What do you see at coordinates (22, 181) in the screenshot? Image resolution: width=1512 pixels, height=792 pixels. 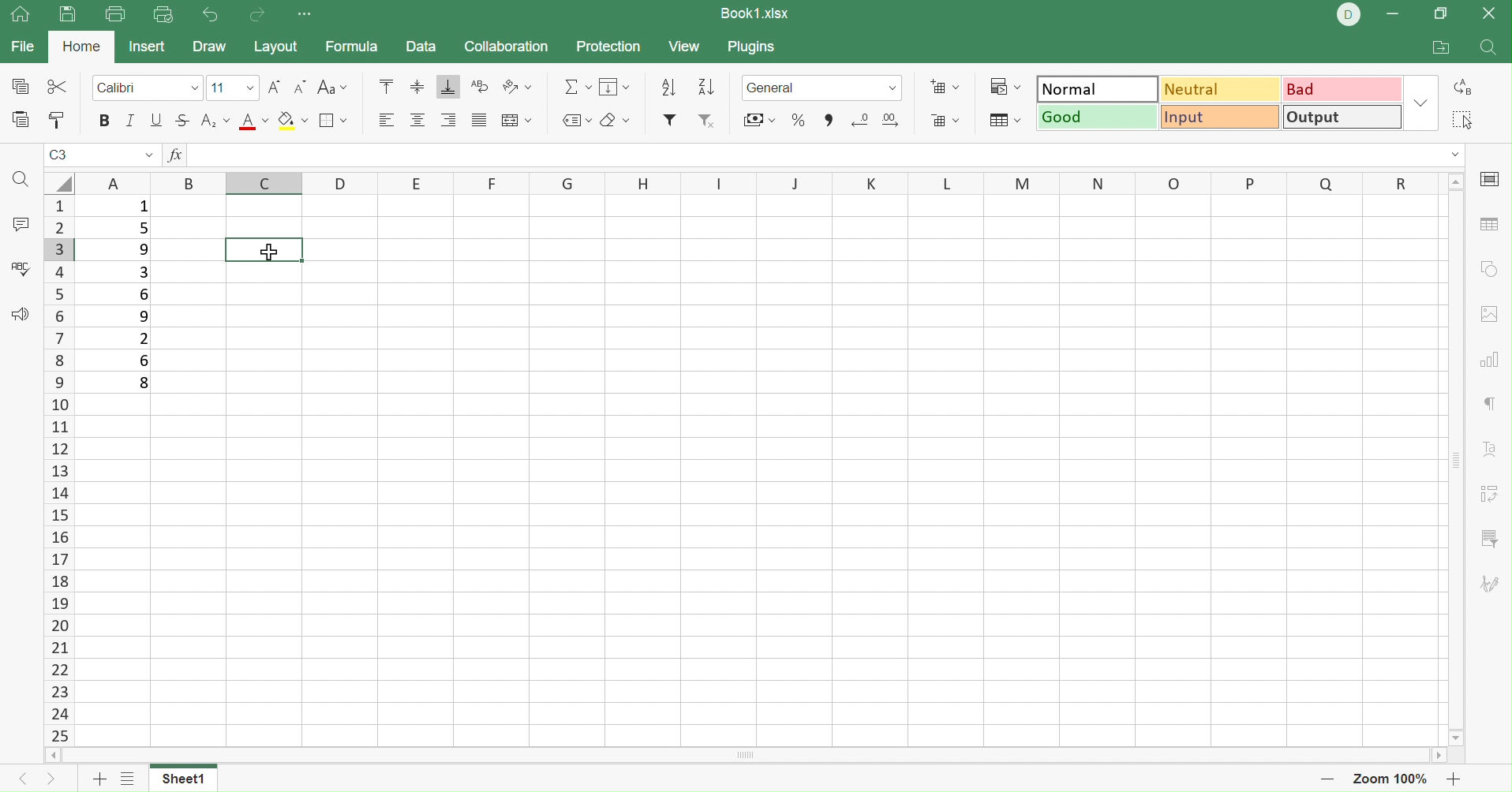 I see `Find` at bounding box center [22, 181].